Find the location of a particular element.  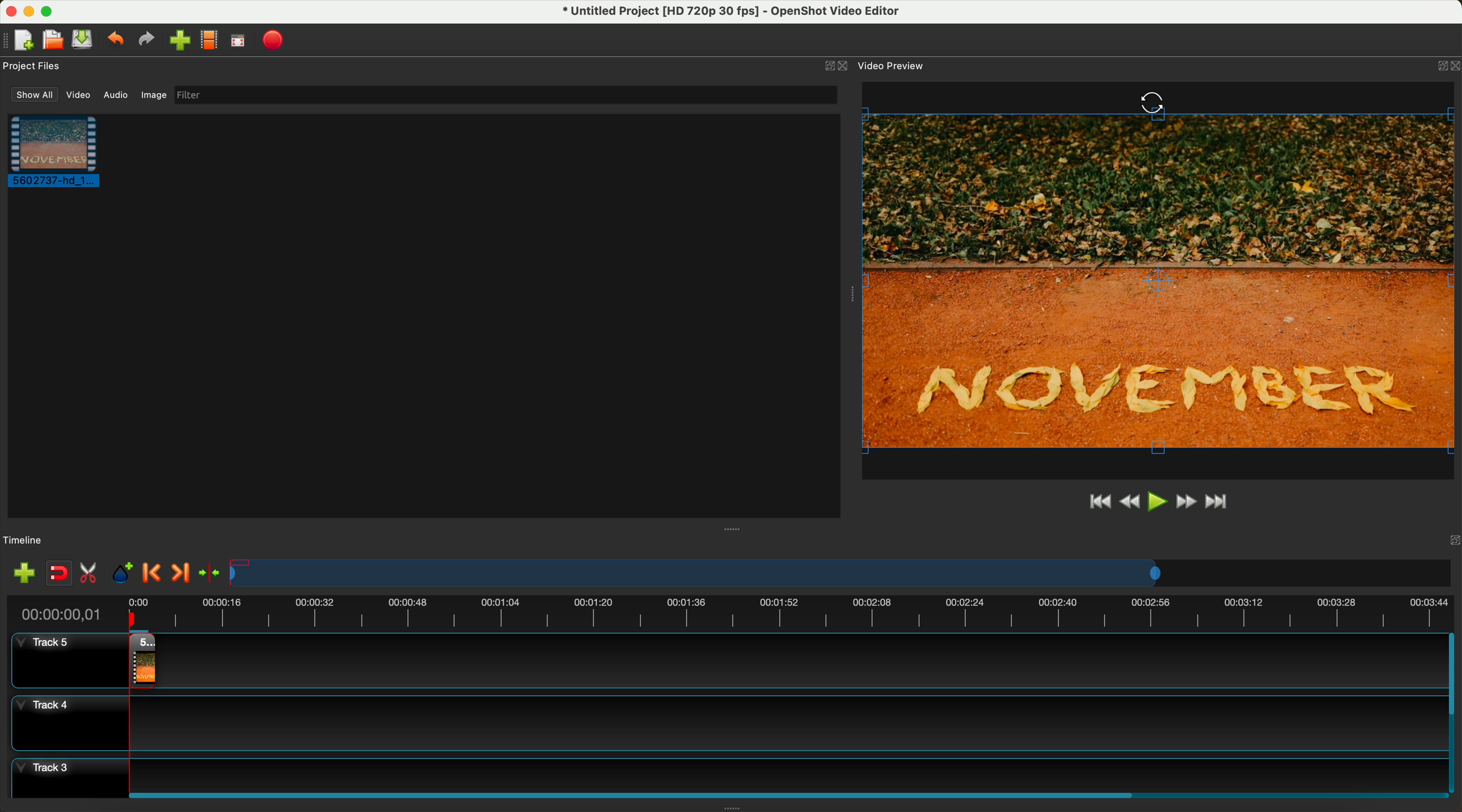

redo is located at coordinates (146, 40).